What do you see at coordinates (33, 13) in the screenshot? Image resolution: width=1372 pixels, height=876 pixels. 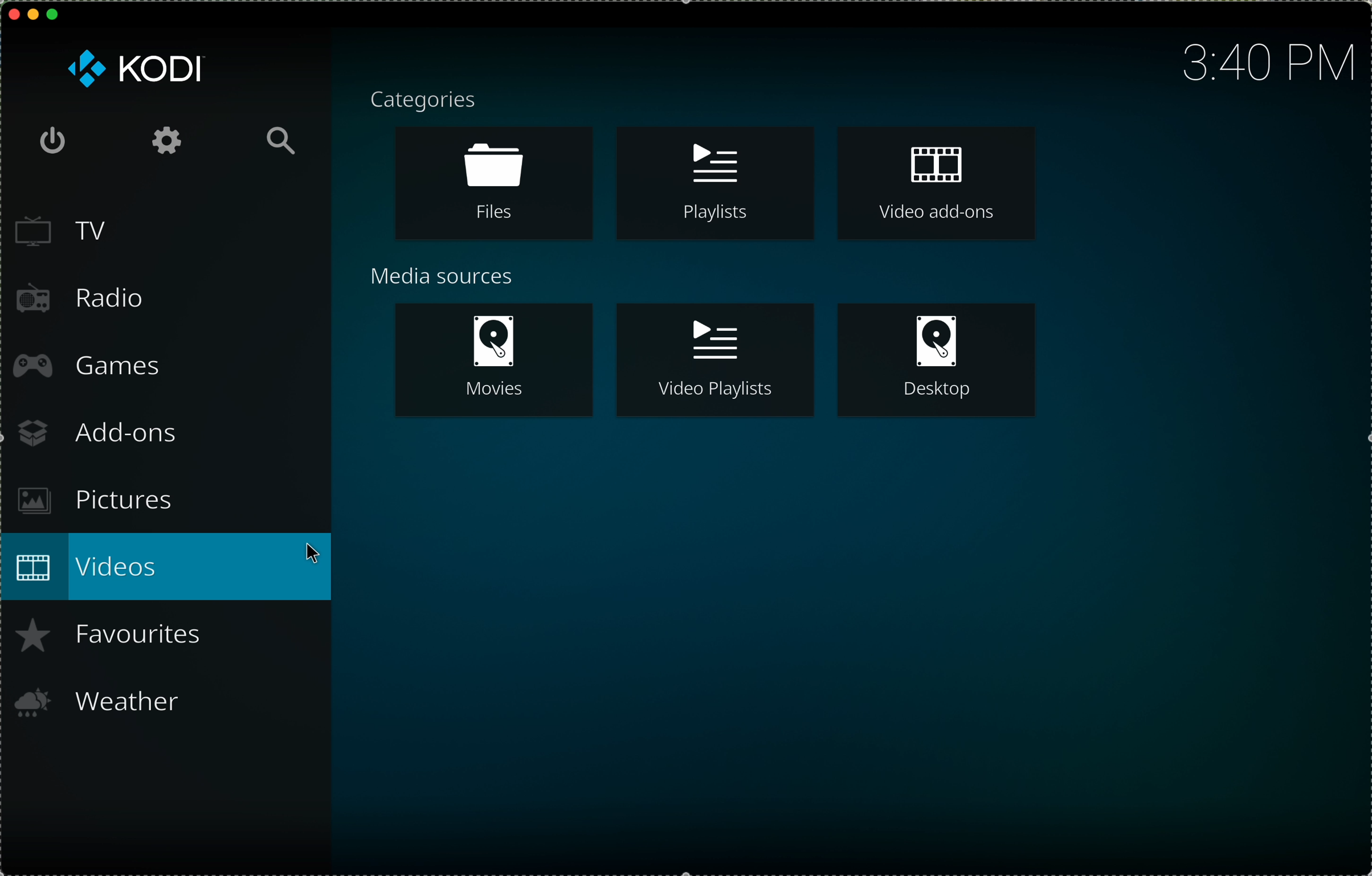 I see `minimise` at bounding box center [33, 13].